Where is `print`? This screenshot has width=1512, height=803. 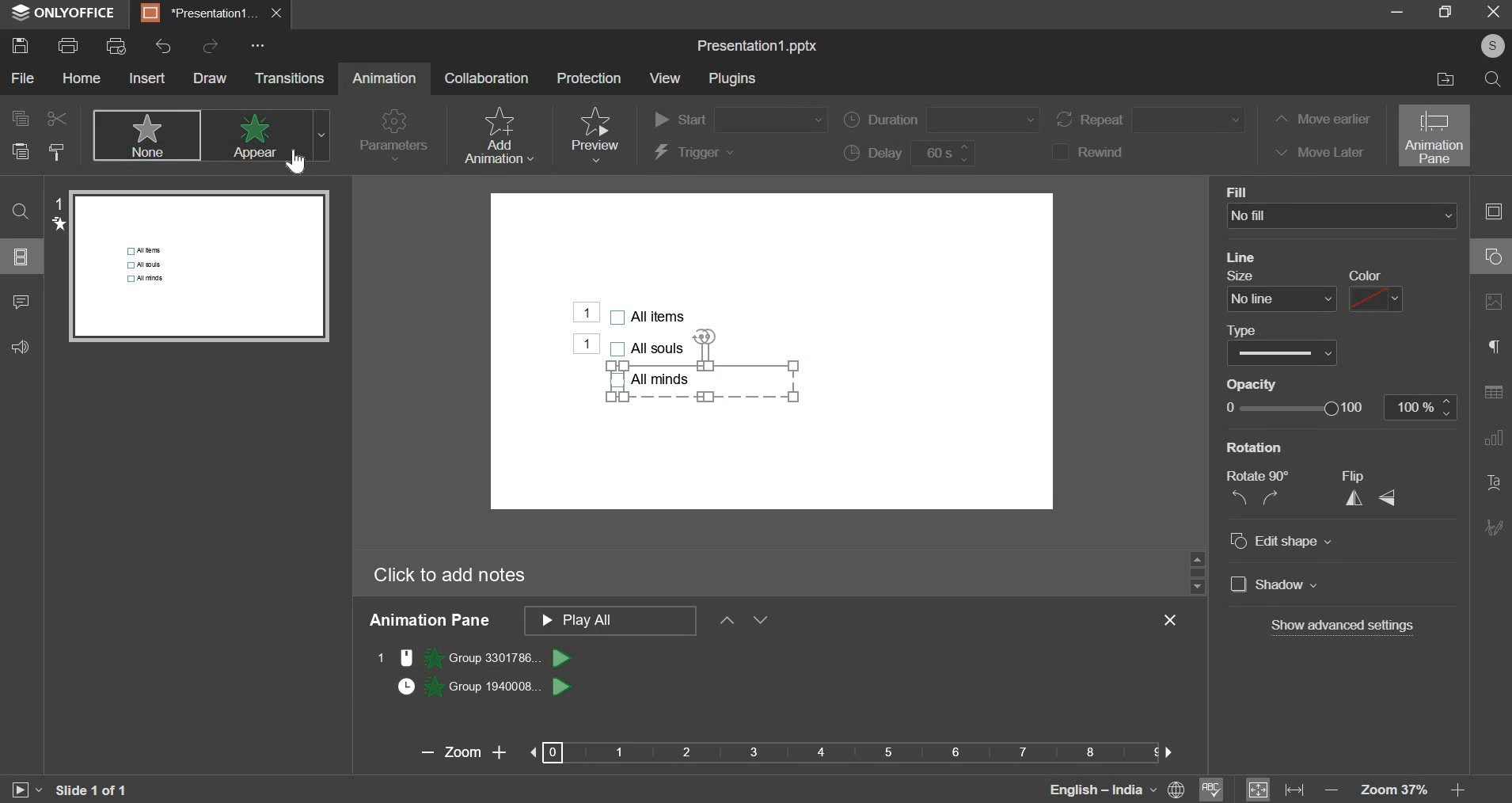
print is located at coordinates (68, 44).